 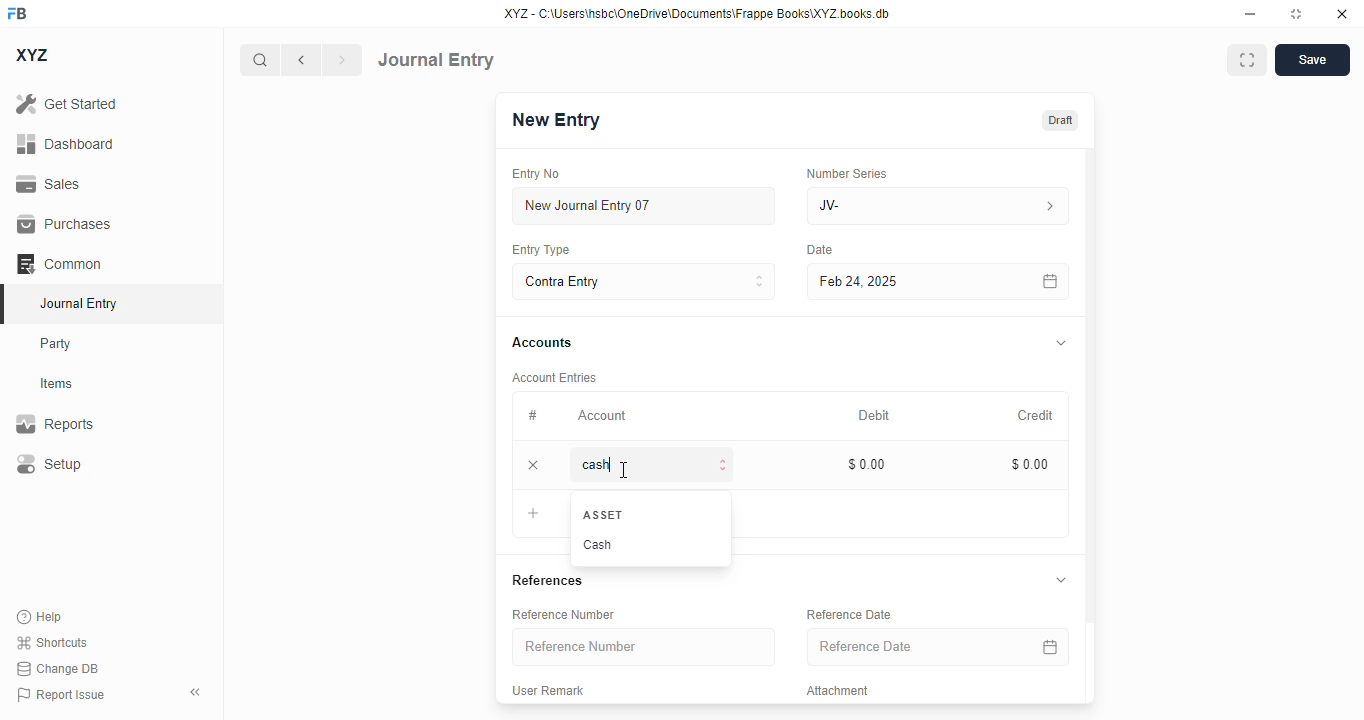 I want to click on common, so click(x=59, y=263).